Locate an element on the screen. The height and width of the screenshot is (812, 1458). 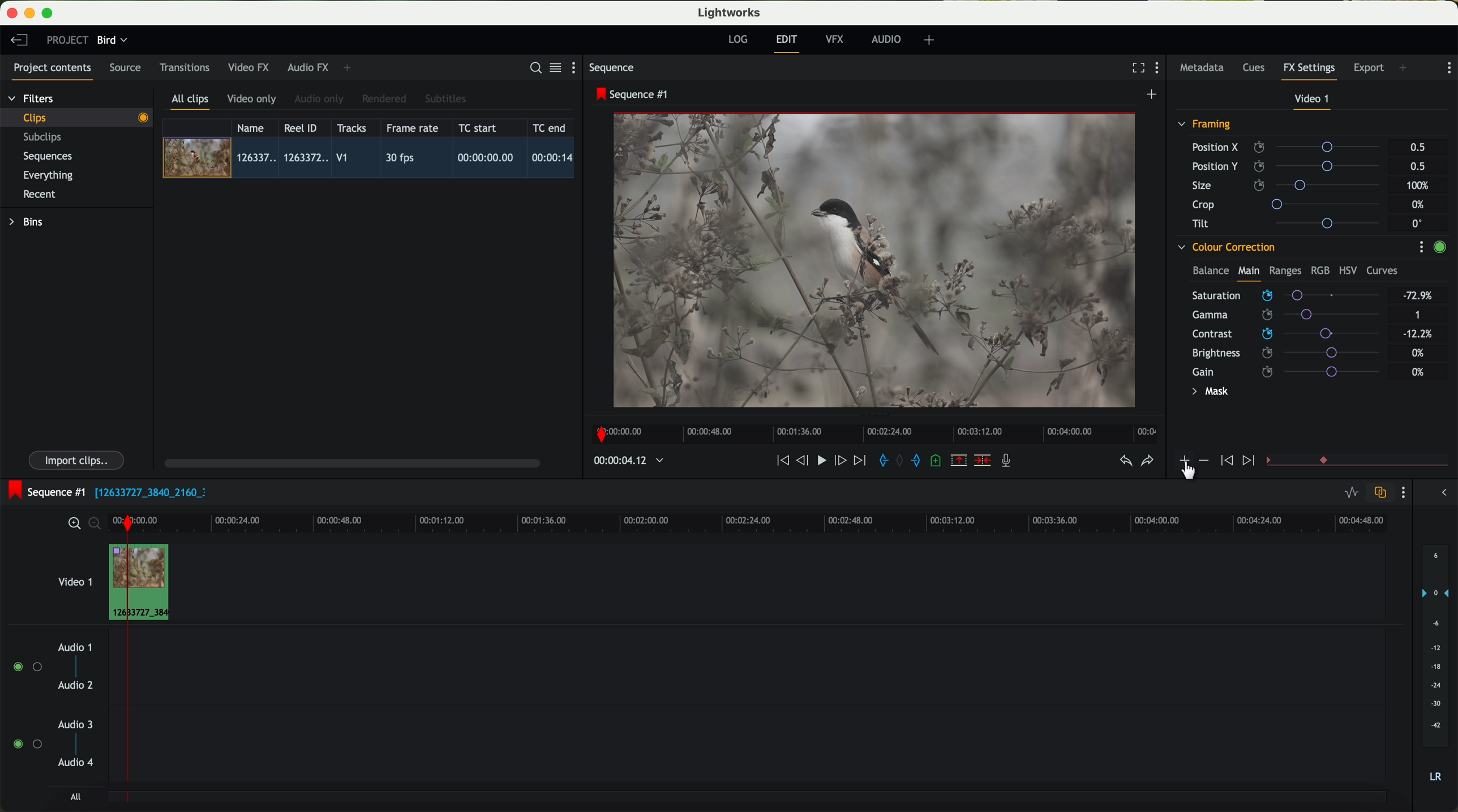
transition is located at coordinates (1374, 461).